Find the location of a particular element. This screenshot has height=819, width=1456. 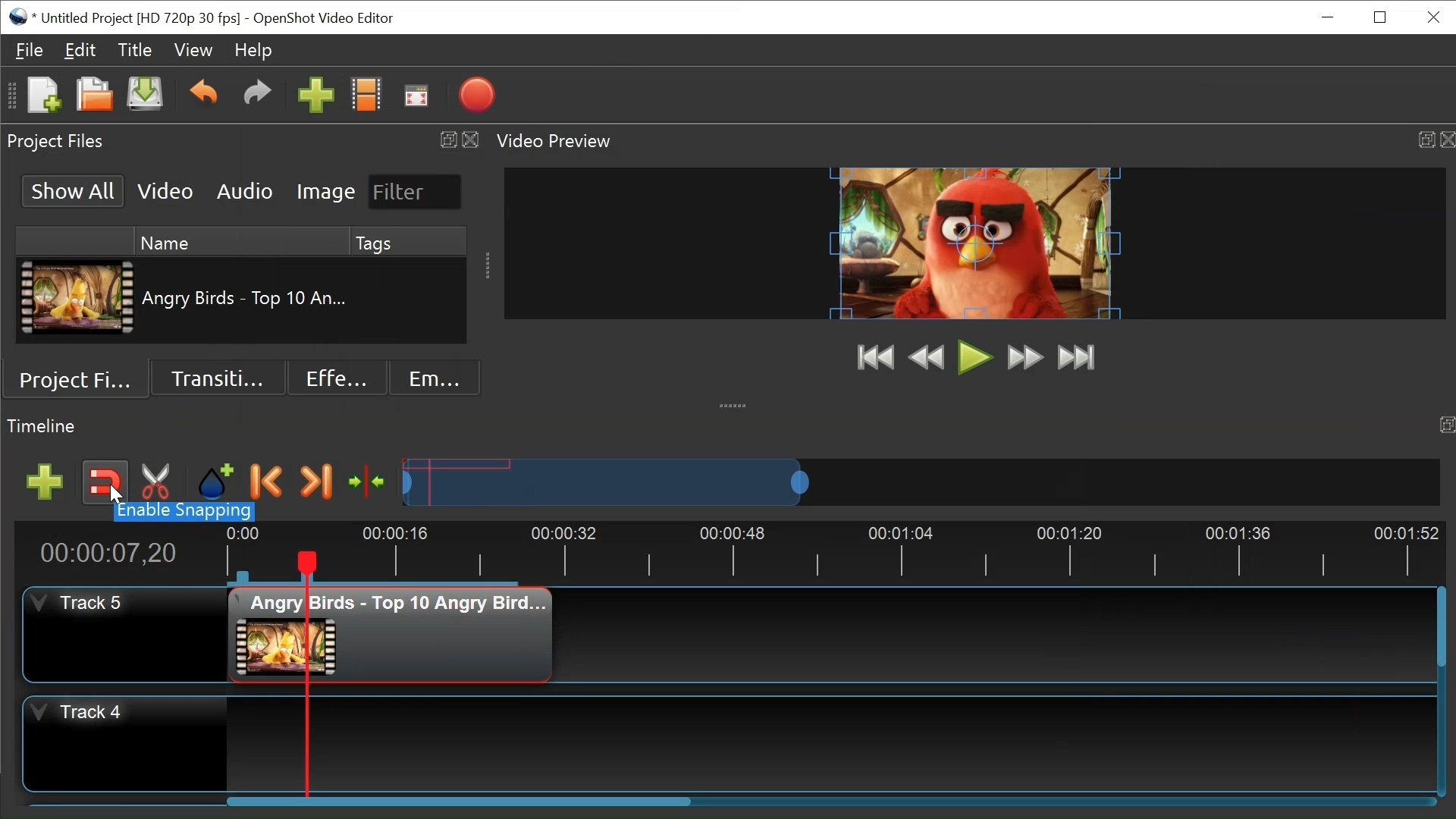

Audio is located at coordinates (243, 191).